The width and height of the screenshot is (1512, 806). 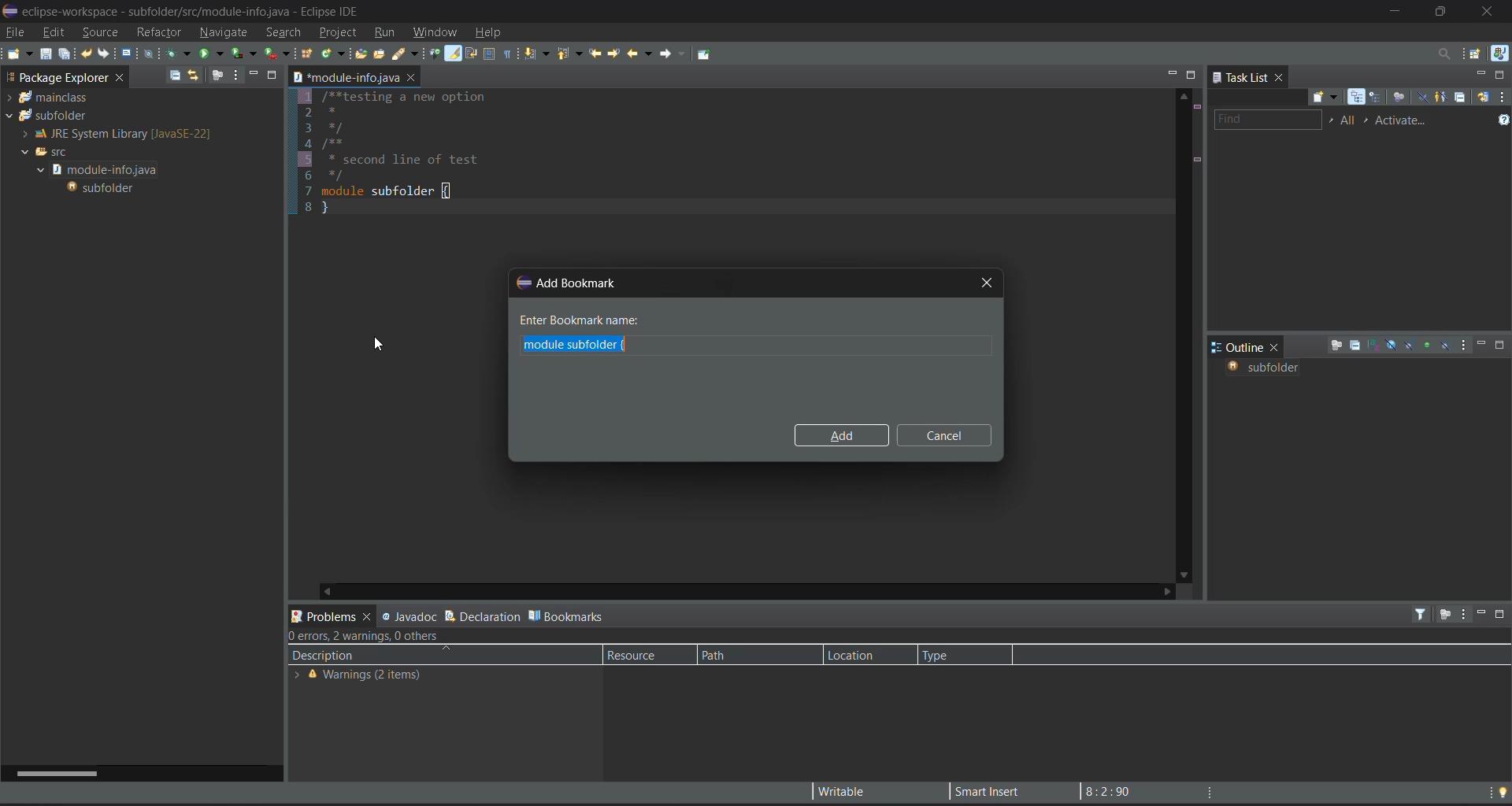 I want to click on file, so click(x=17, y=31).